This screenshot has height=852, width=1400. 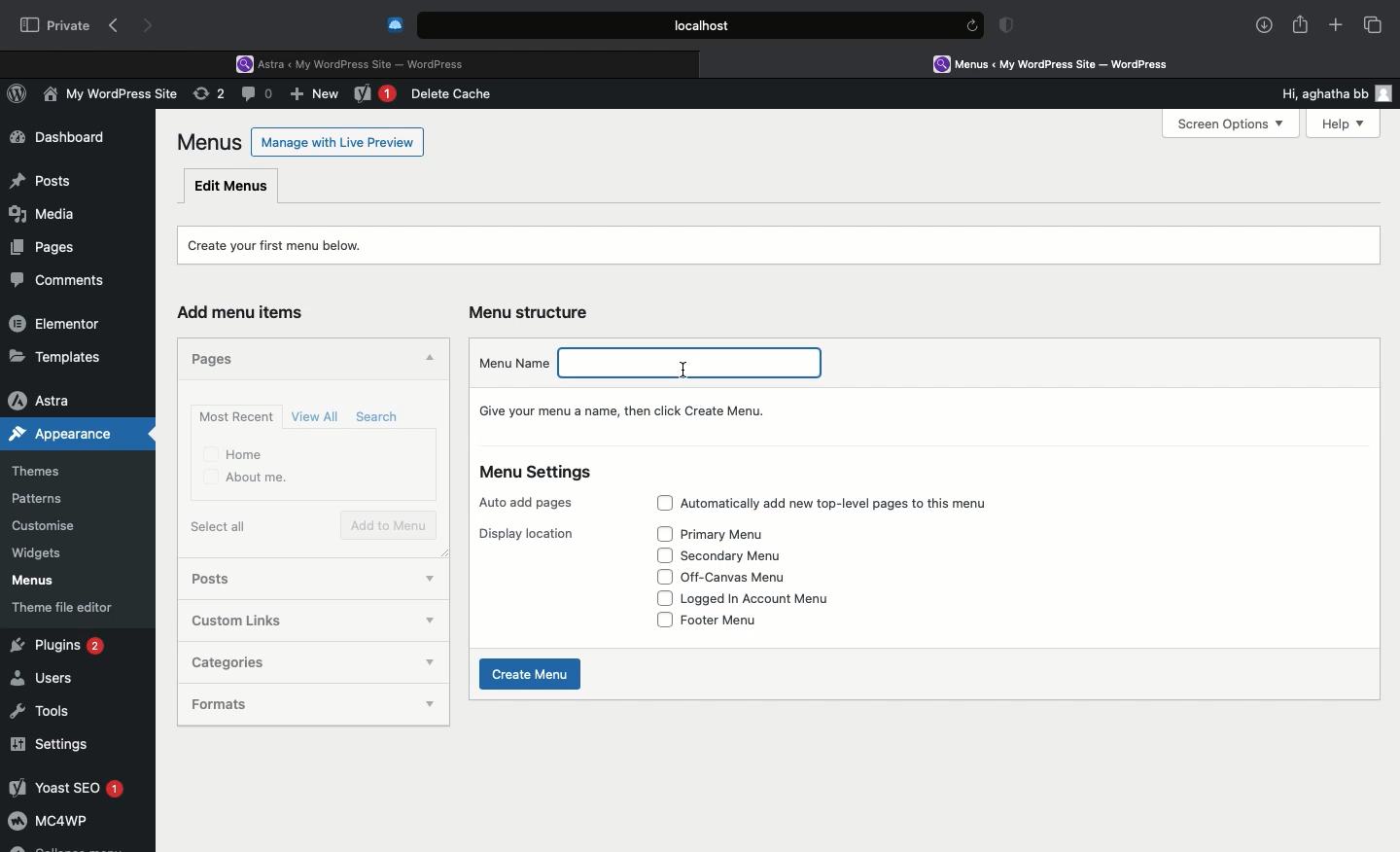 I want to click on Themes, so click(x=50, y=472).